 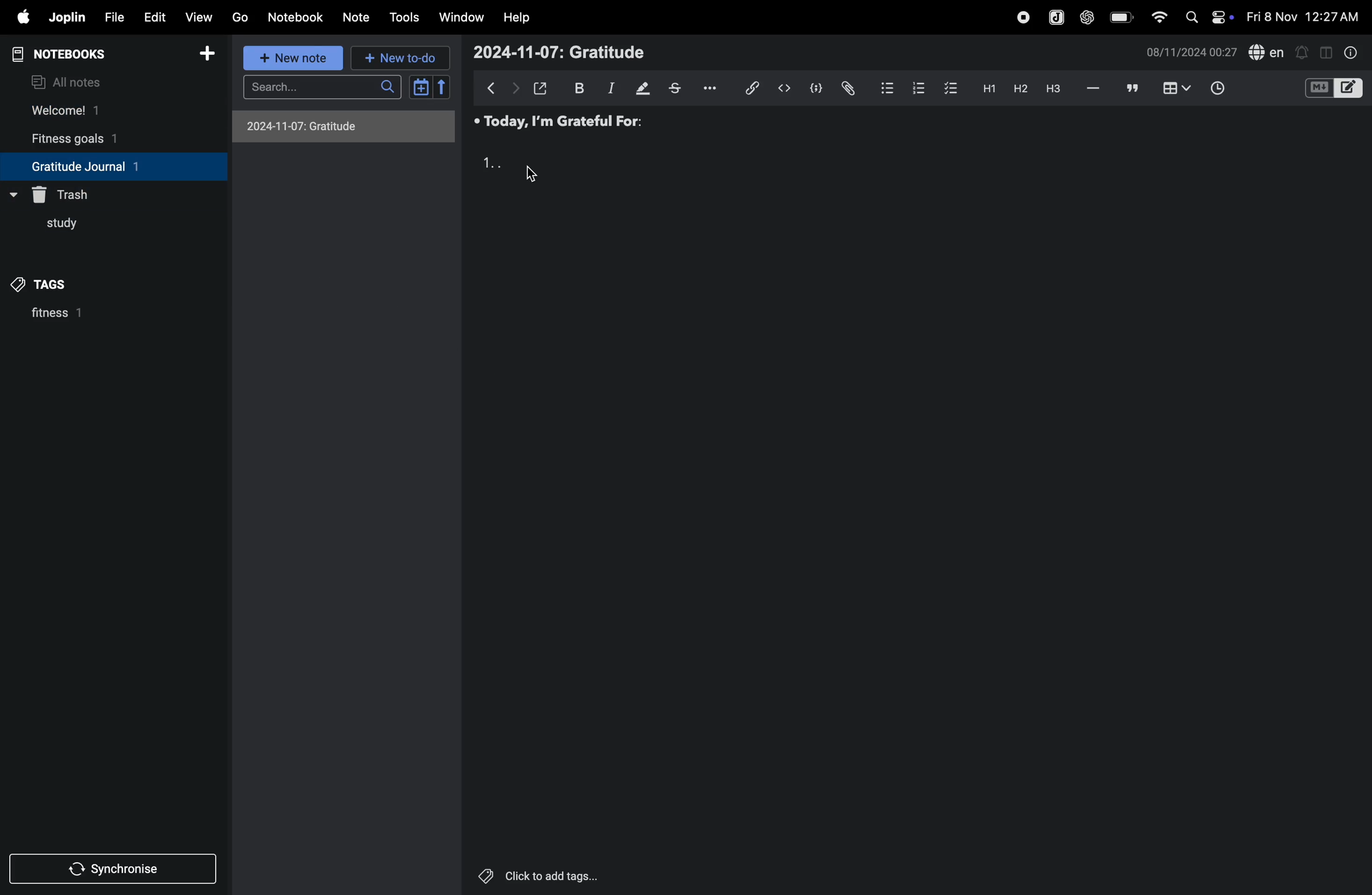 What do you see at coordinates (986, 90) in the screenshot?
I see `heading 1` at bounding box center [986, 90].